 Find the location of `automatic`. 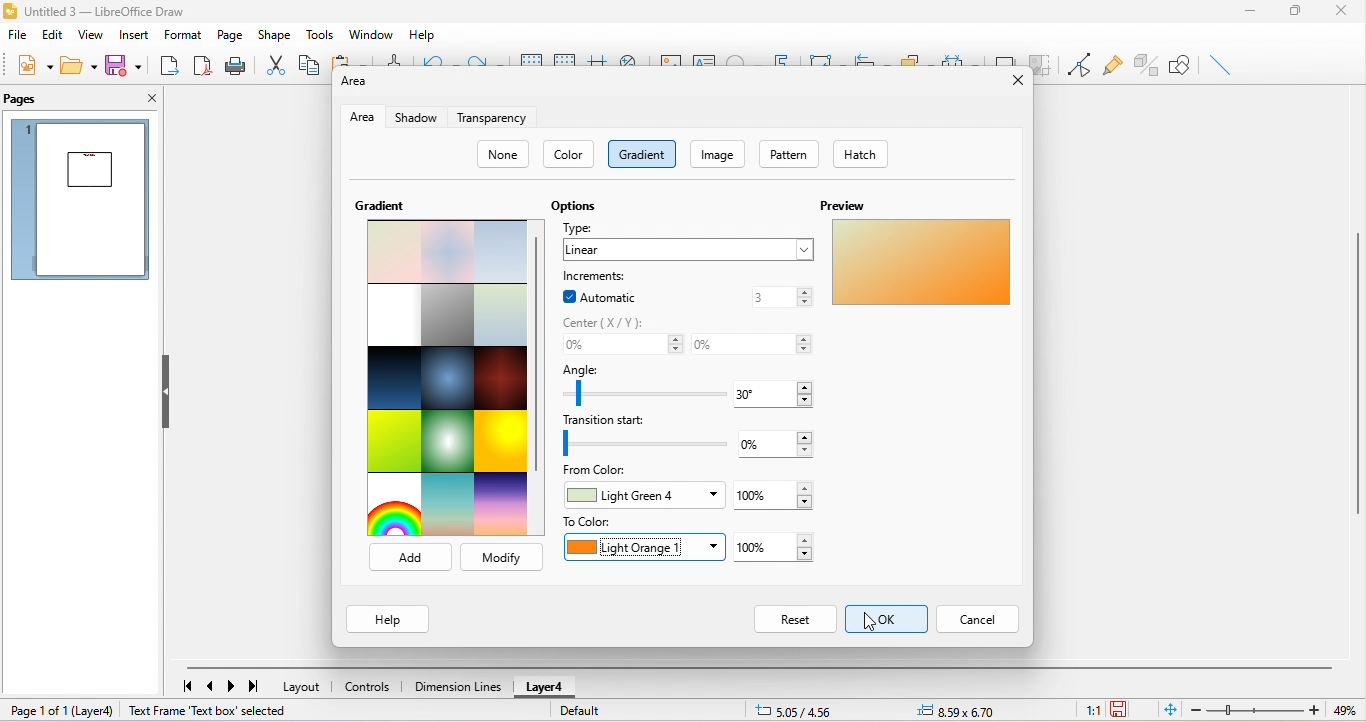

automatic is located at coordinates (613, 296).